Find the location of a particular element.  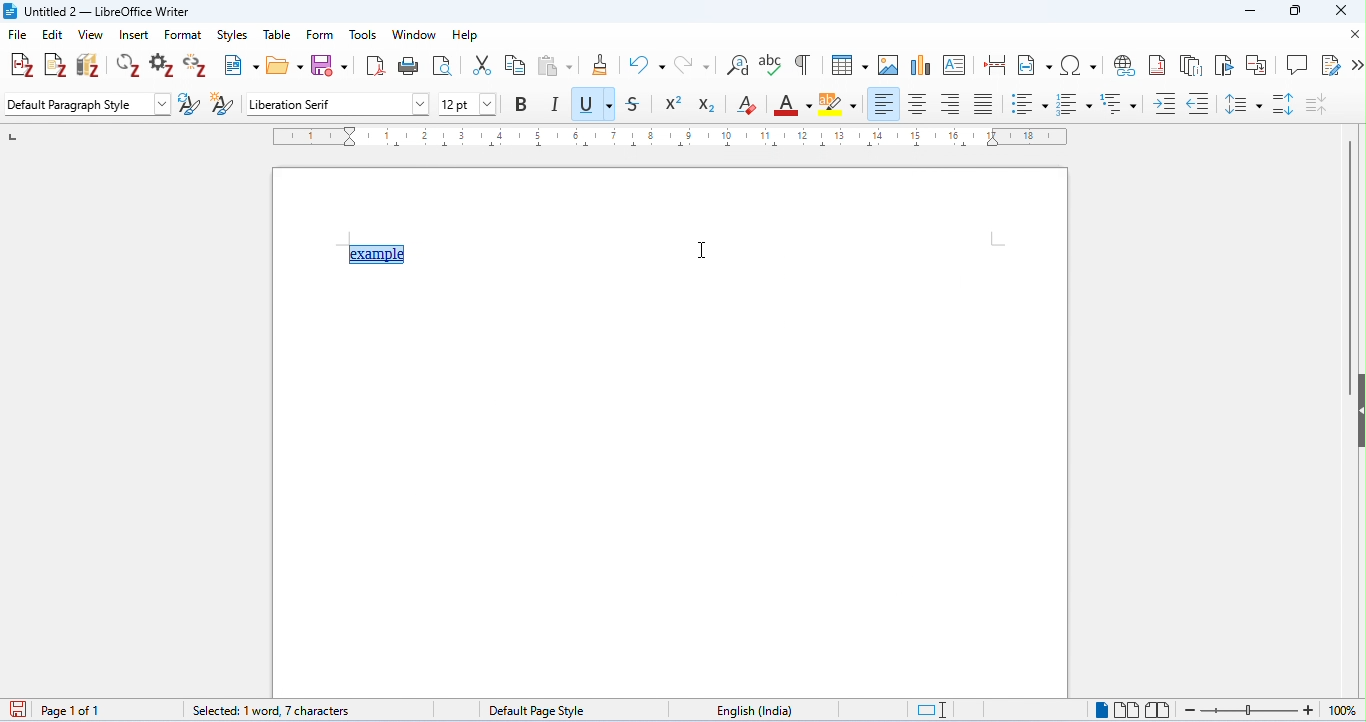

insert footnote is located at coordinates (1157, 64).